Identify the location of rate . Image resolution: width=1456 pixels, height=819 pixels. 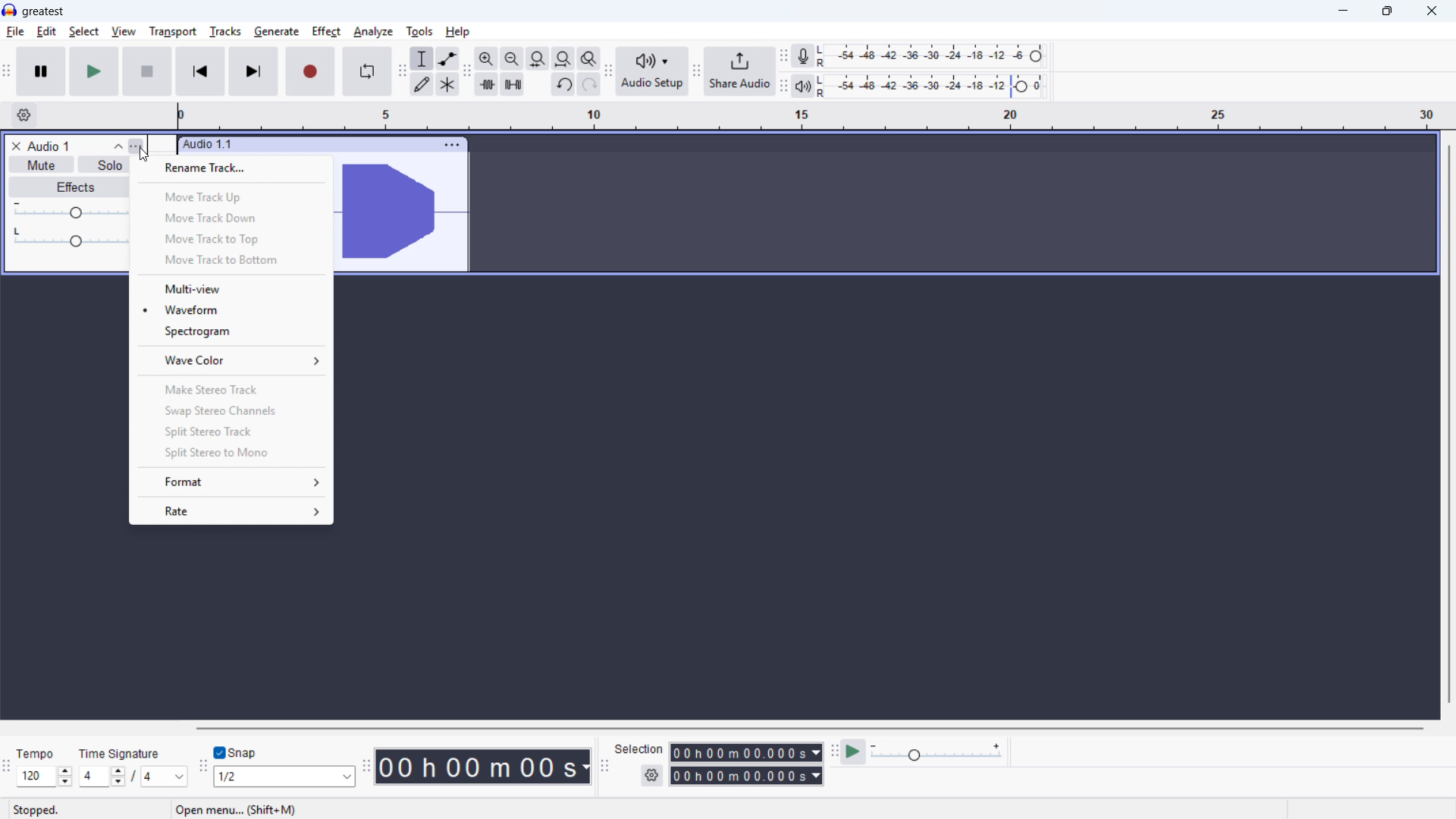
(231, 510).